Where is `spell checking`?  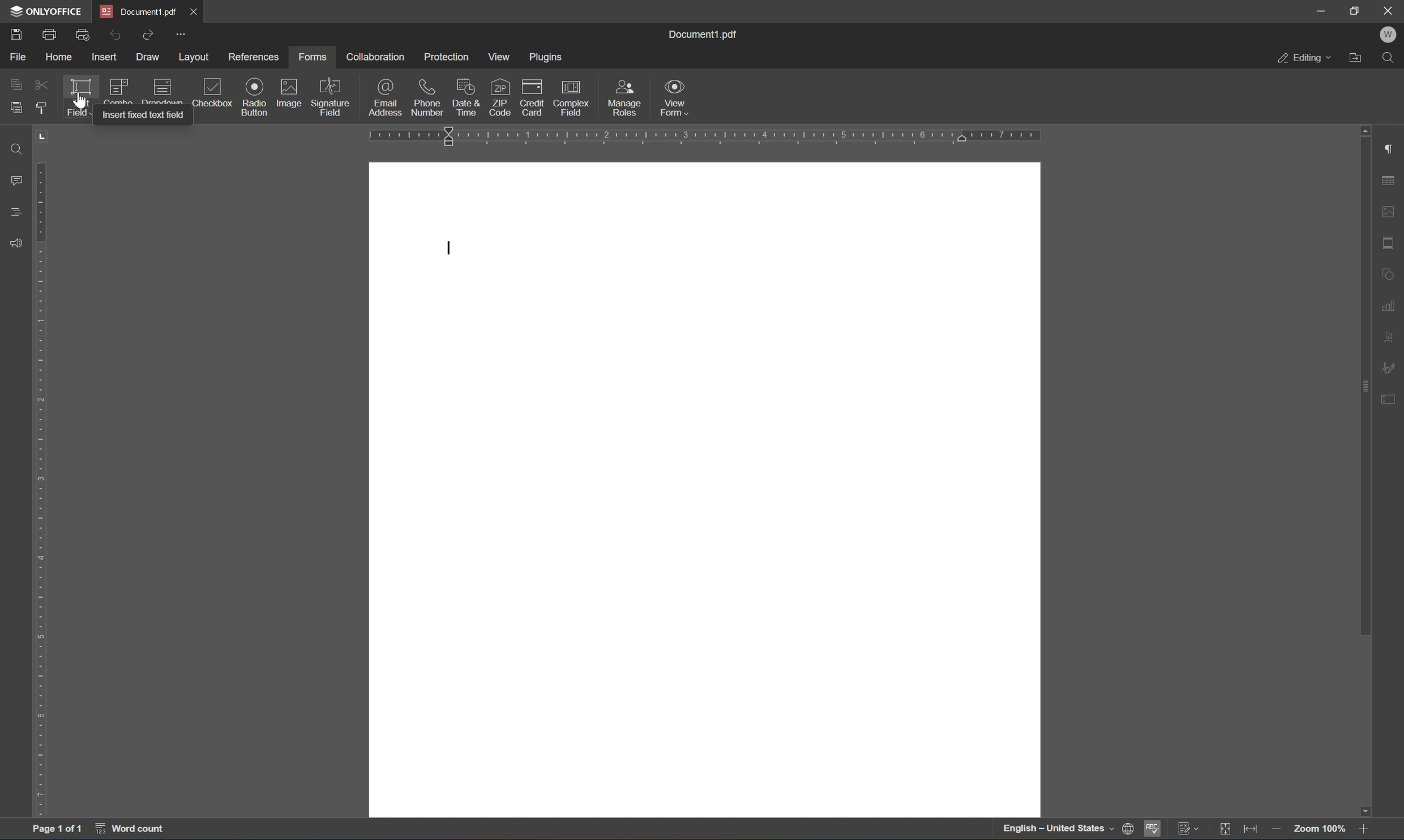 spell checking is located at coordinates (1152, 830).